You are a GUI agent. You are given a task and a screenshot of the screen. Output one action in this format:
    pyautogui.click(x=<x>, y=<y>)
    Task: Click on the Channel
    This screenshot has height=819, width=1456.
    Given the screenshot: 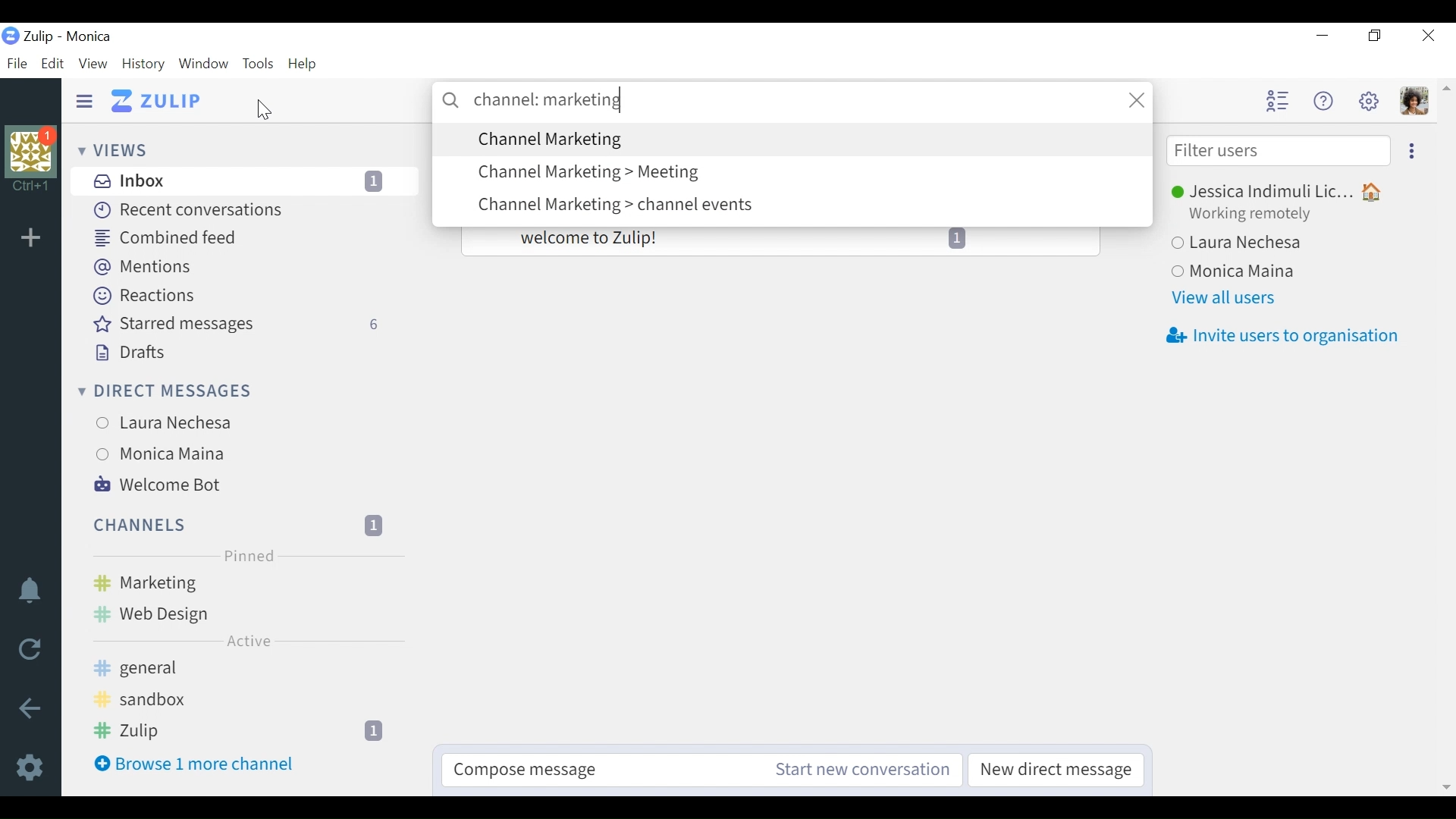 What is the action you would take?
    pyautogui.click(x=246, y=672)
    